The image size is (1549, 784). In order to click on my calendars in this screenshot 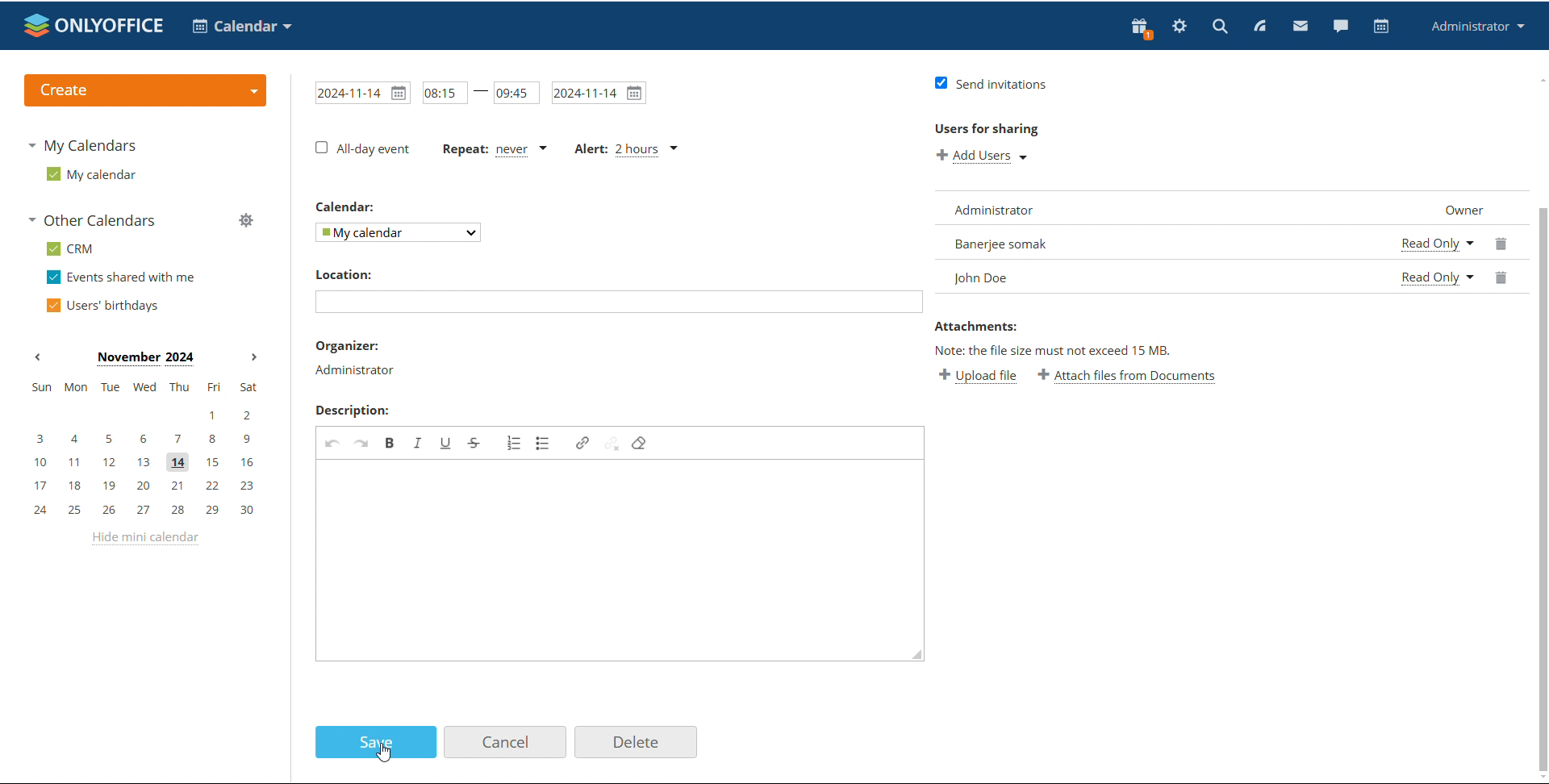, I will do `click(81, 147)`.